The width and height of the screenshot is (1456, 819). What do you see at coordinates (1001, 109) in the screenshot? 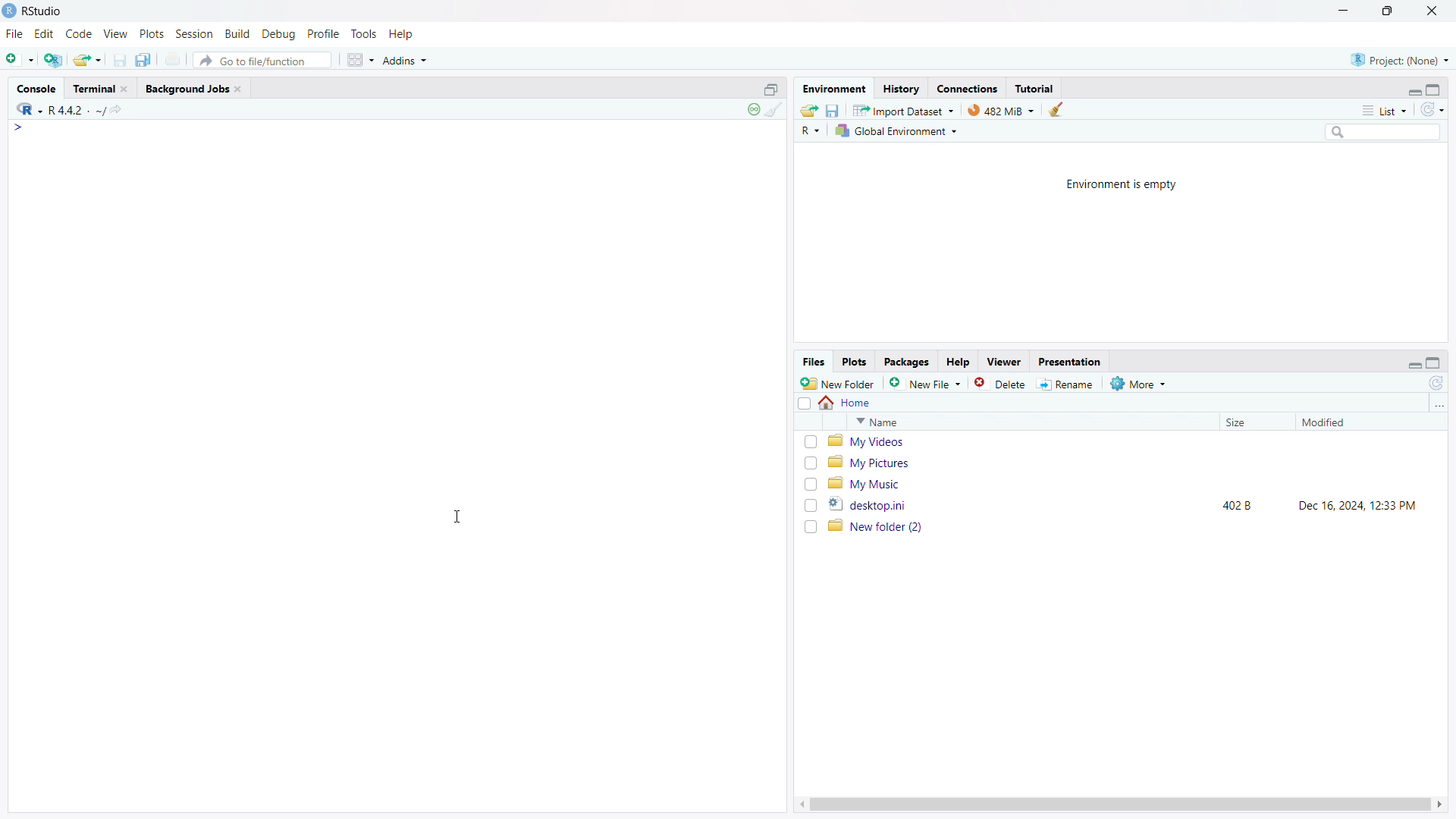
I see `memory used by R session` at bounding box center [1001, 109].